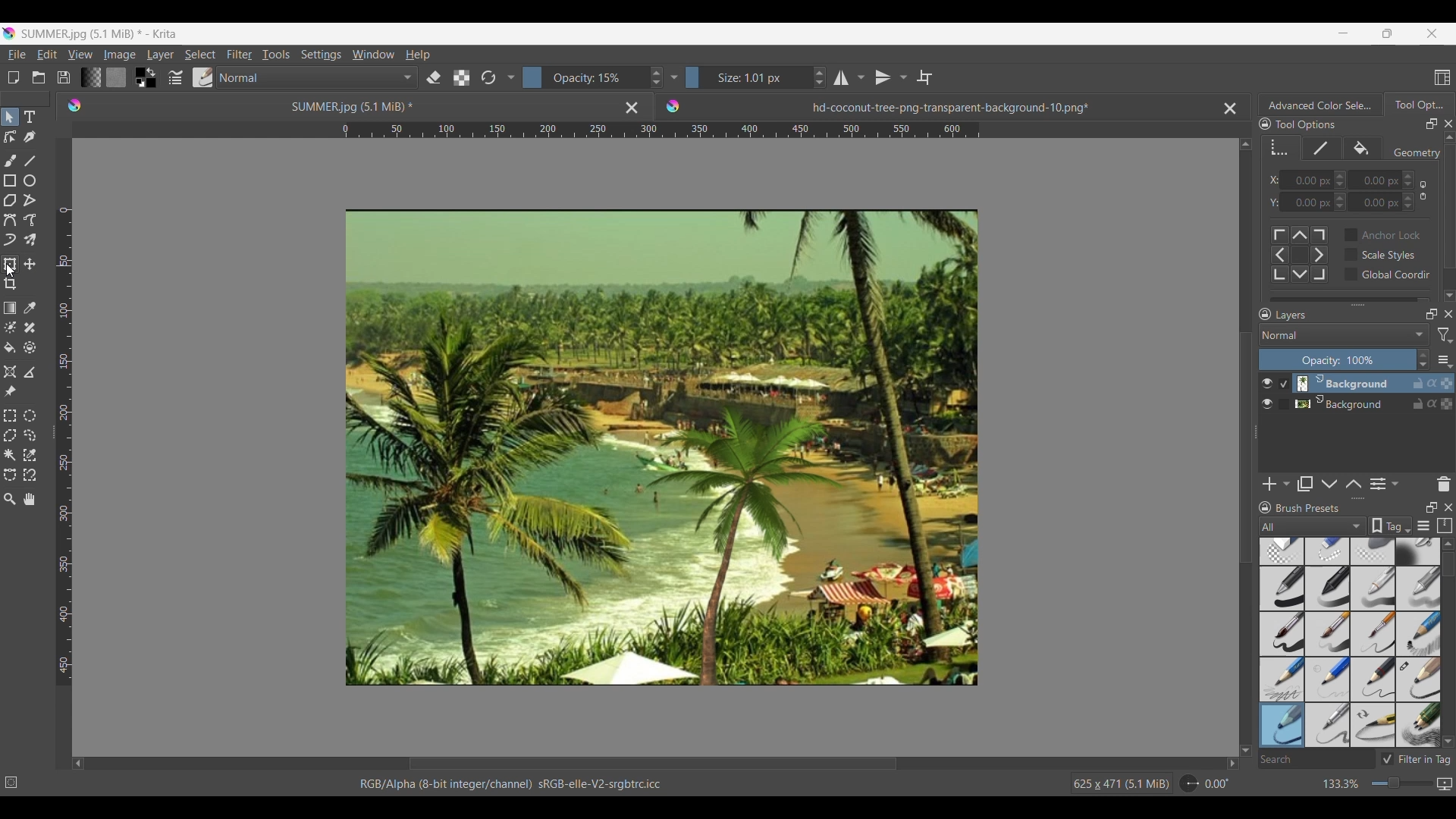 The width and height of the screenshot is (1456, 819). What do you see at coordinates (1434, 383) in the screenshot?
I see `Sync` at bounding box center [1434, 383].